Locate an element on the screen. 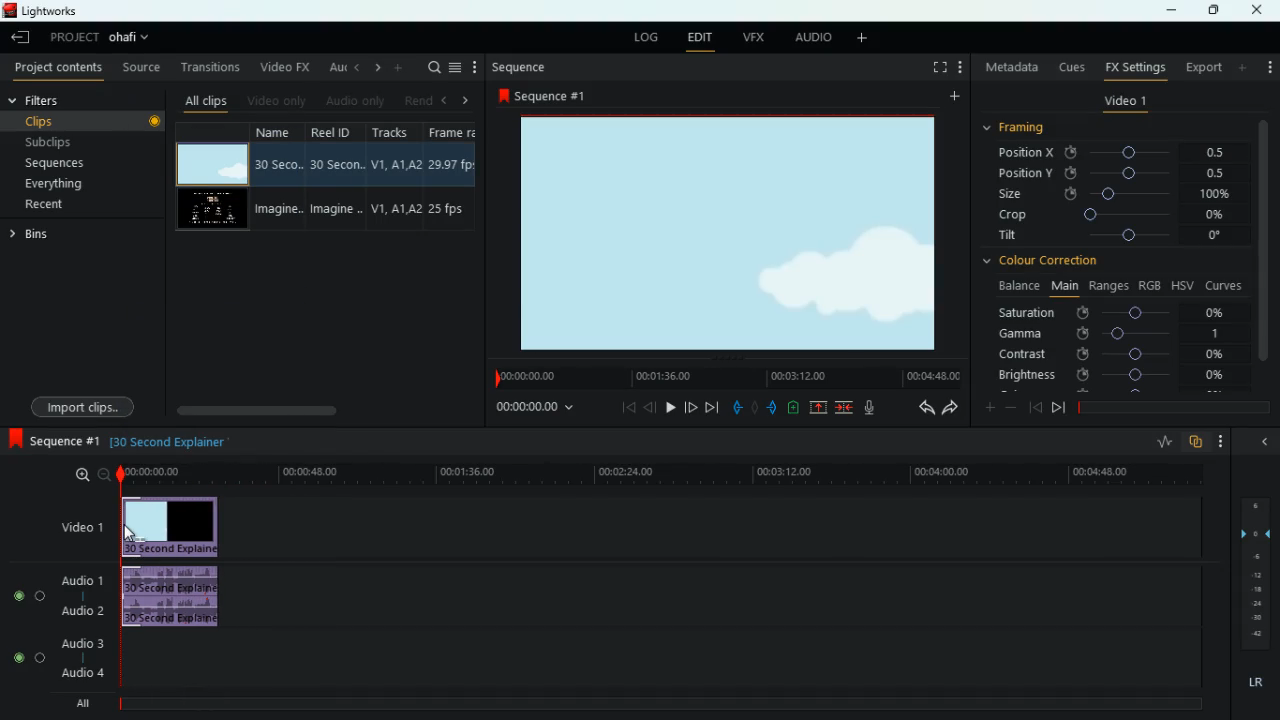 This screenshot has width=1280, height=720. screen is located at coordinates (734, 235).